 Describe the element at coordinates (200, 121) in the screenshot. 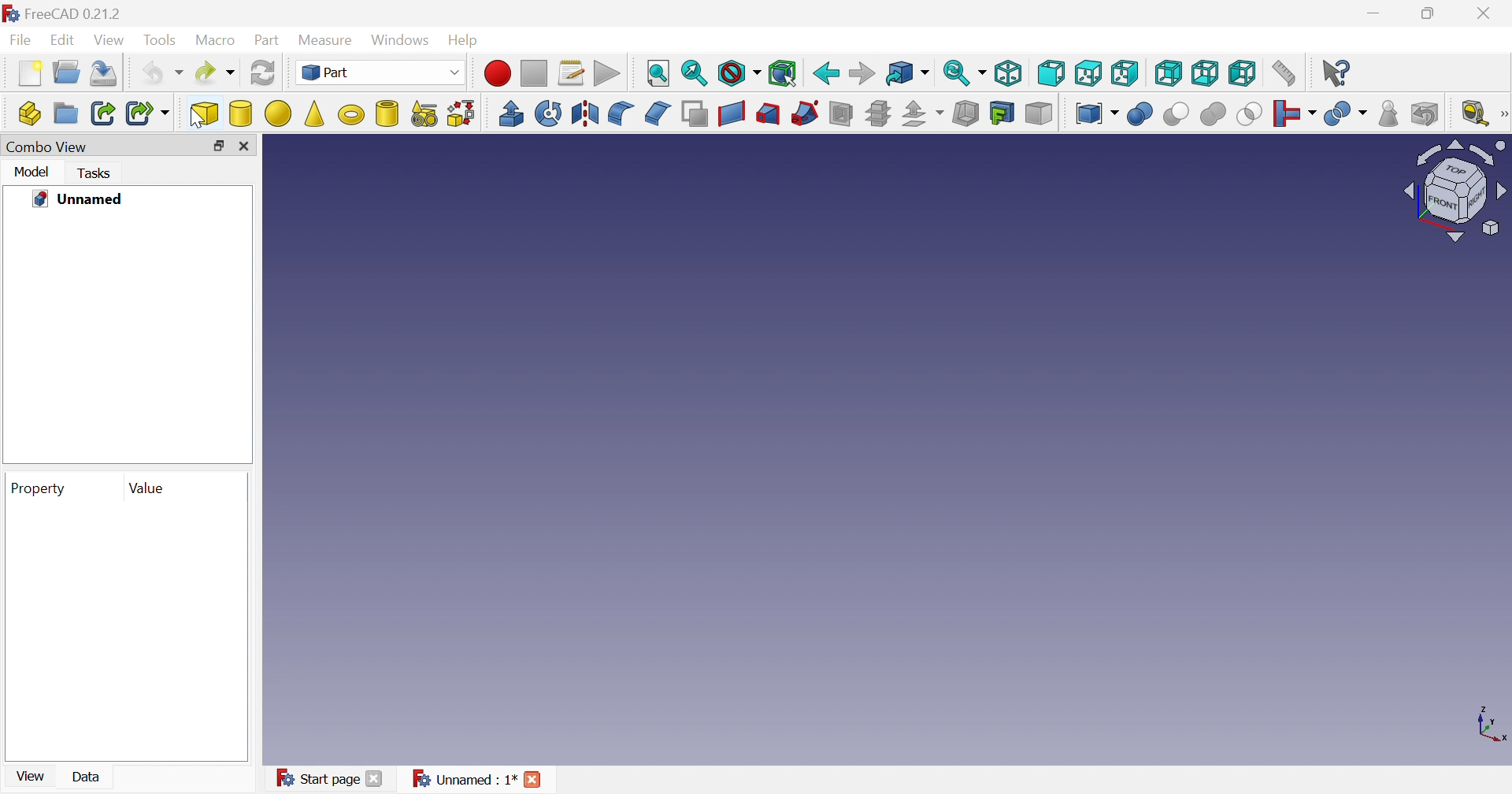

I see `cursor` at that location.